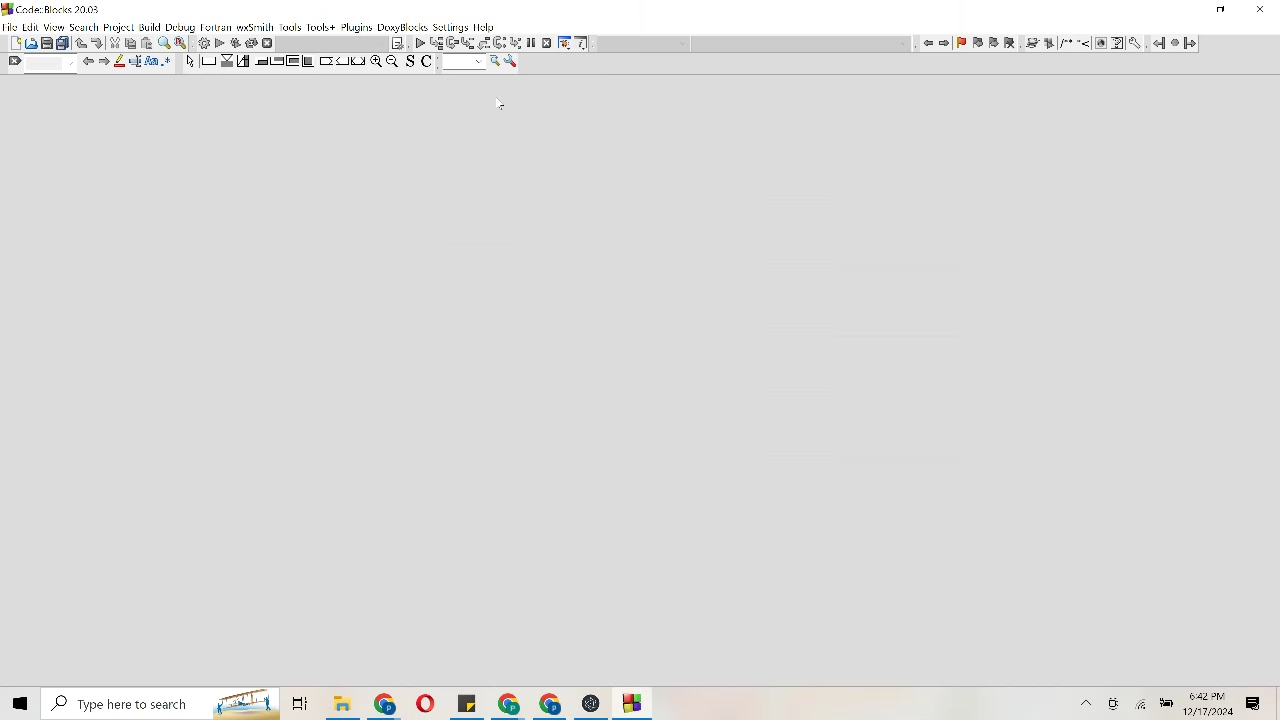 This screenshot has width=1280, height=720. I want to click on Print and duplicate, so click(56, 42).